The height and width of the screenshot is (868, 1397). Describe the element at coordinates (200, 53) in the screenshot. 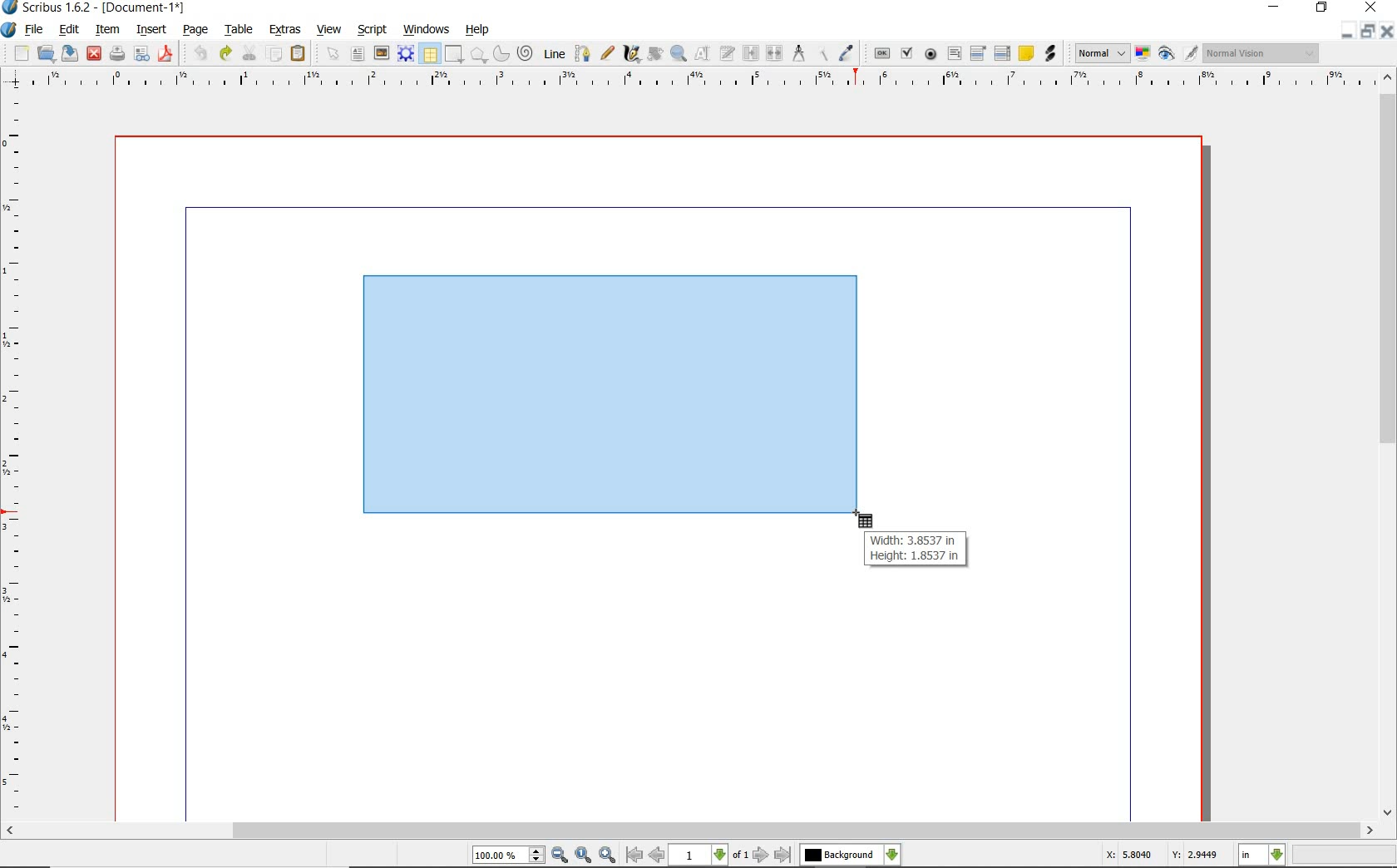

I see `undo` at that location.